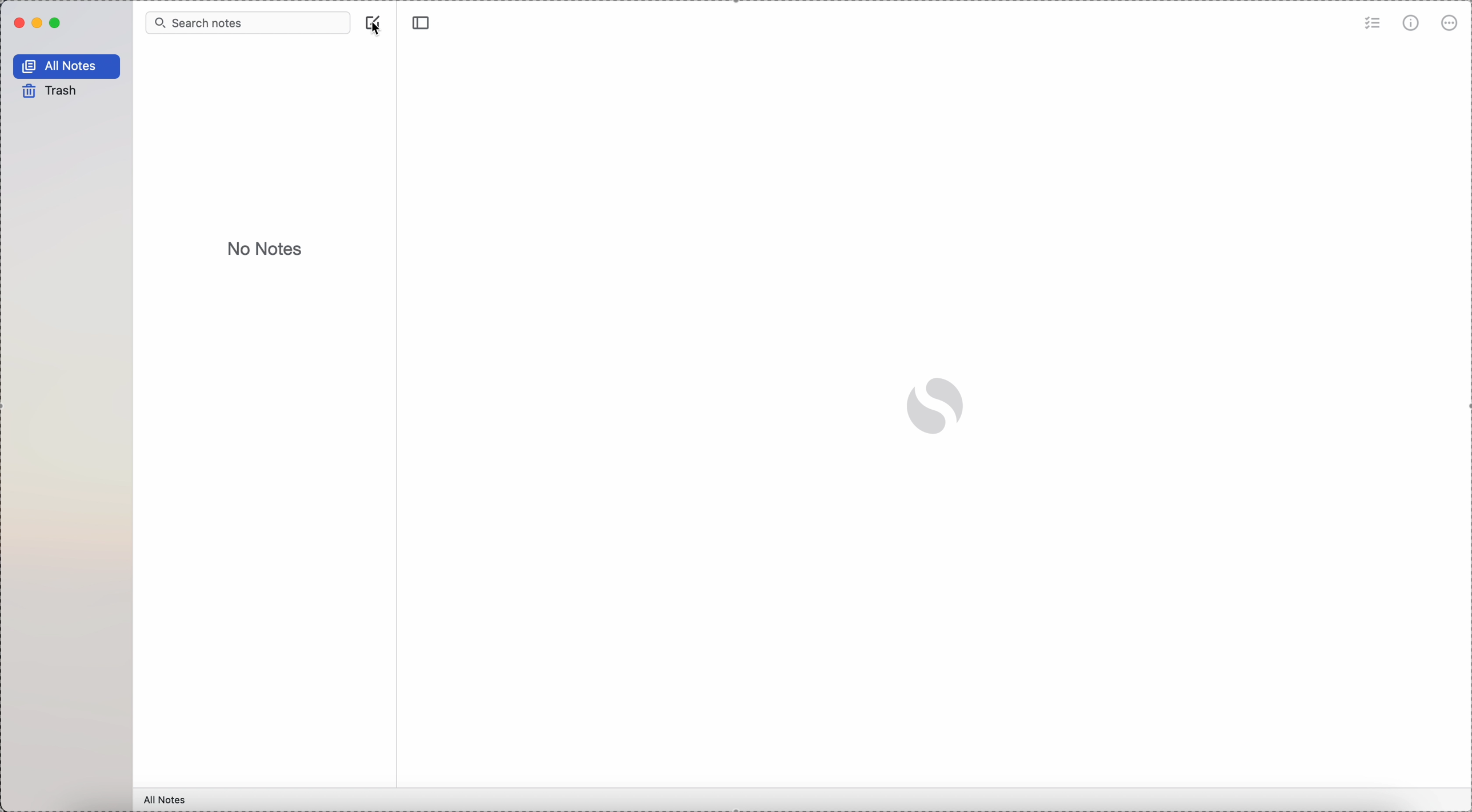  Describe the element at coordinates (373, 17) in the screenshot. I see `click on create note` at that location.